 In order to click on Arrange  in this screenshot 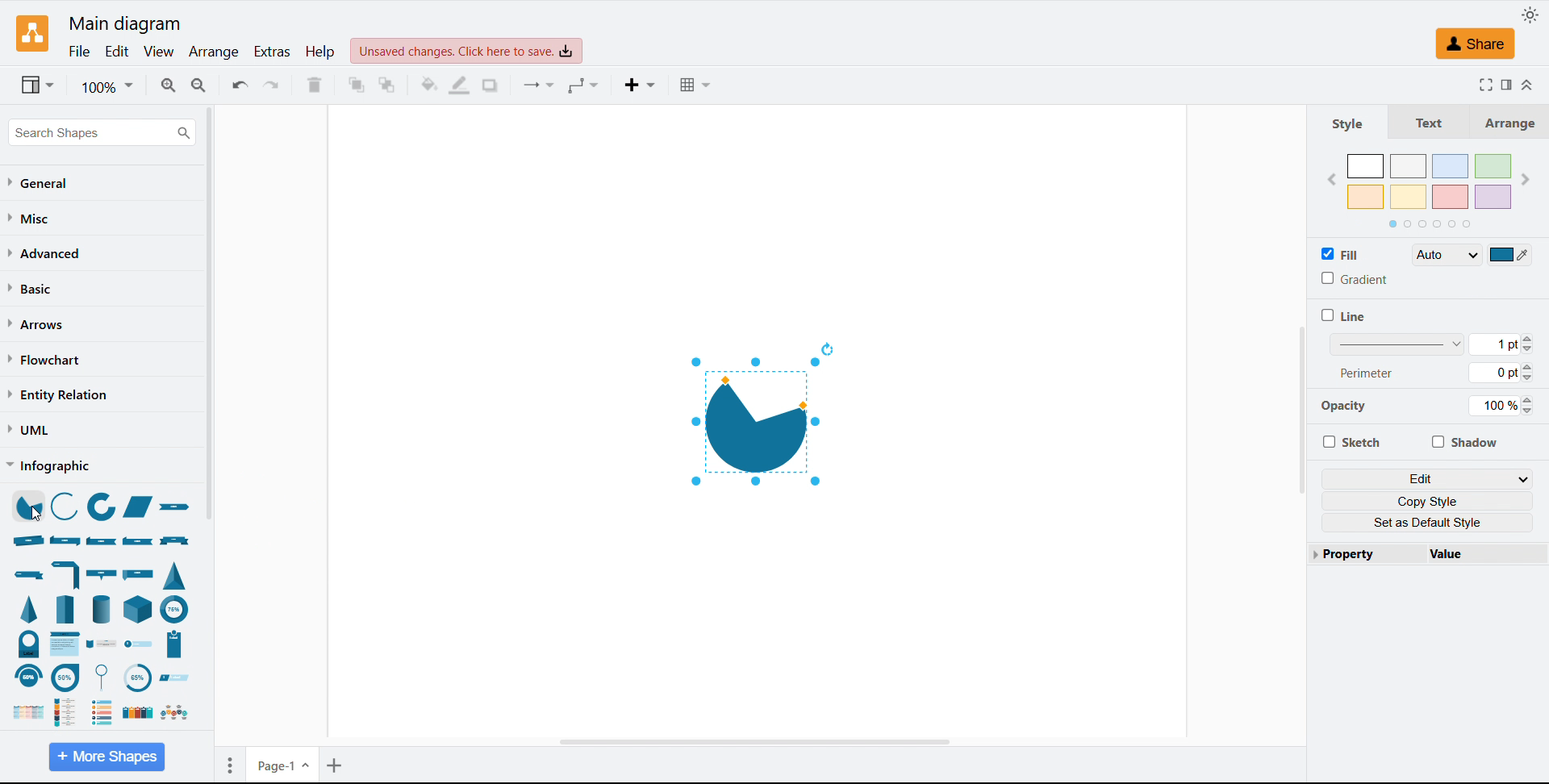, I will do `click(215, 52)`.